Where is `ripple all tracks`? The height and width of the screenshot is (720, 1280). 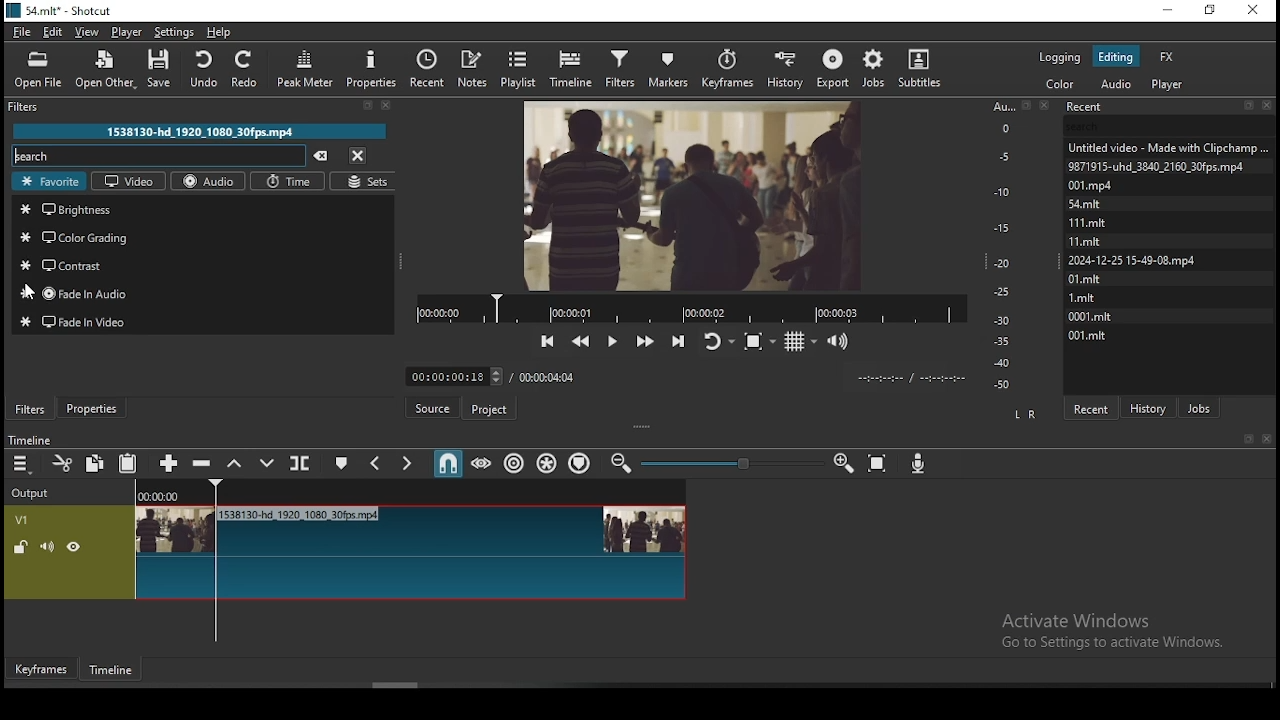
ripple all tracks is located at coordinates (543, 463).